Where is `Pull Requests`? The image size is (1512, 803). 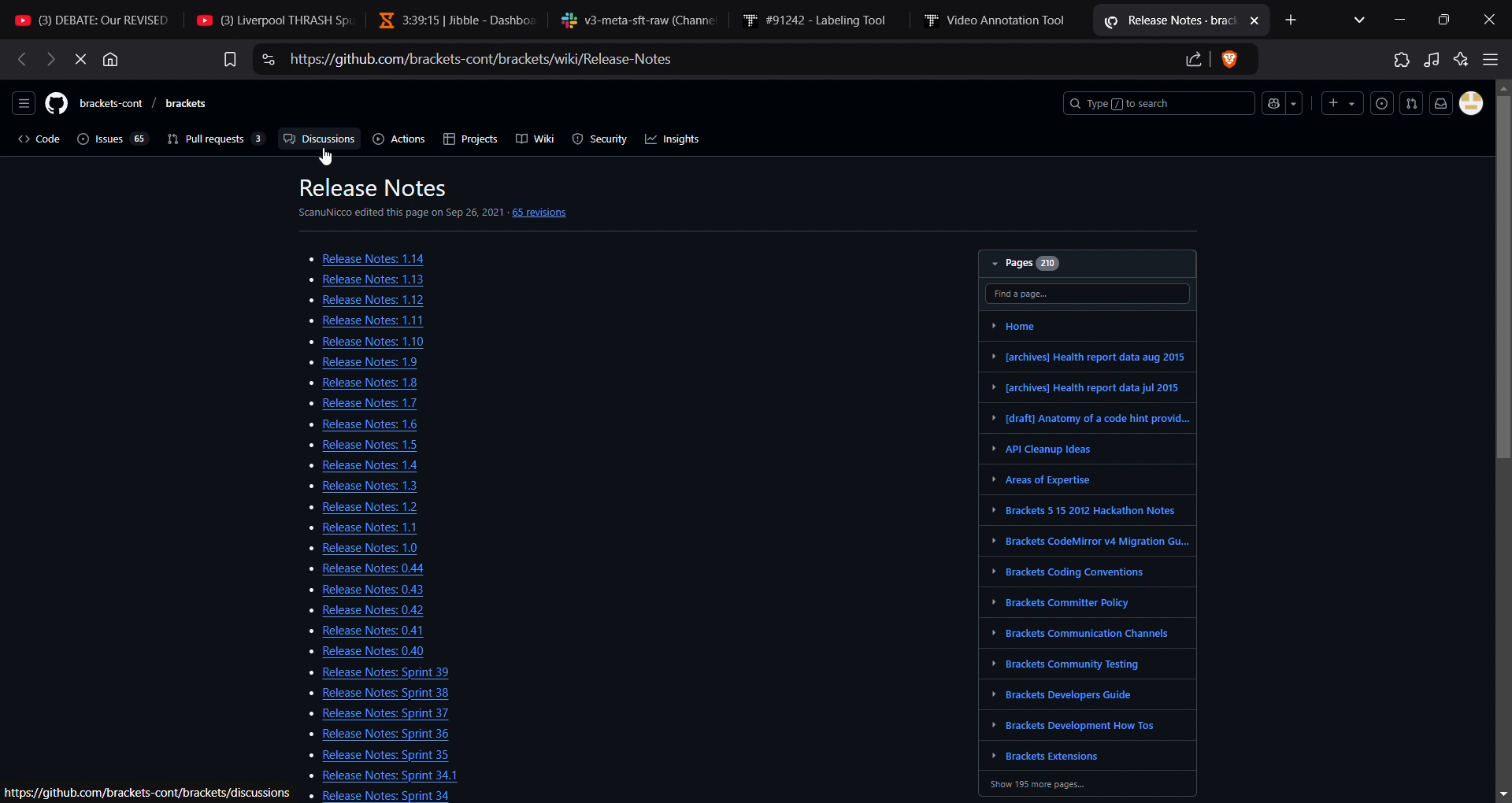
Pull Requests is located at coordinates (1410, 102).